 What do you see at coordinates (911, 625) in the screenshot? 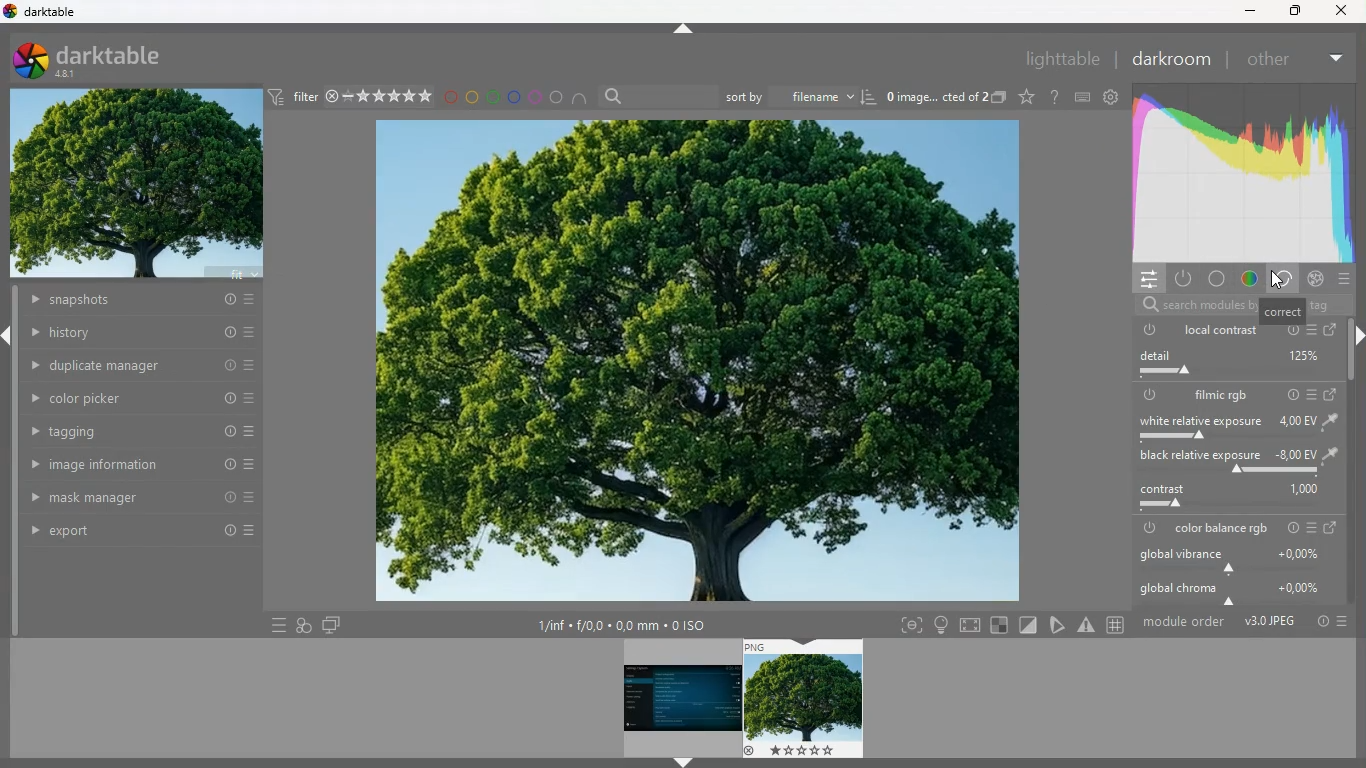
I see `frame` at bounding box center [911, 625].